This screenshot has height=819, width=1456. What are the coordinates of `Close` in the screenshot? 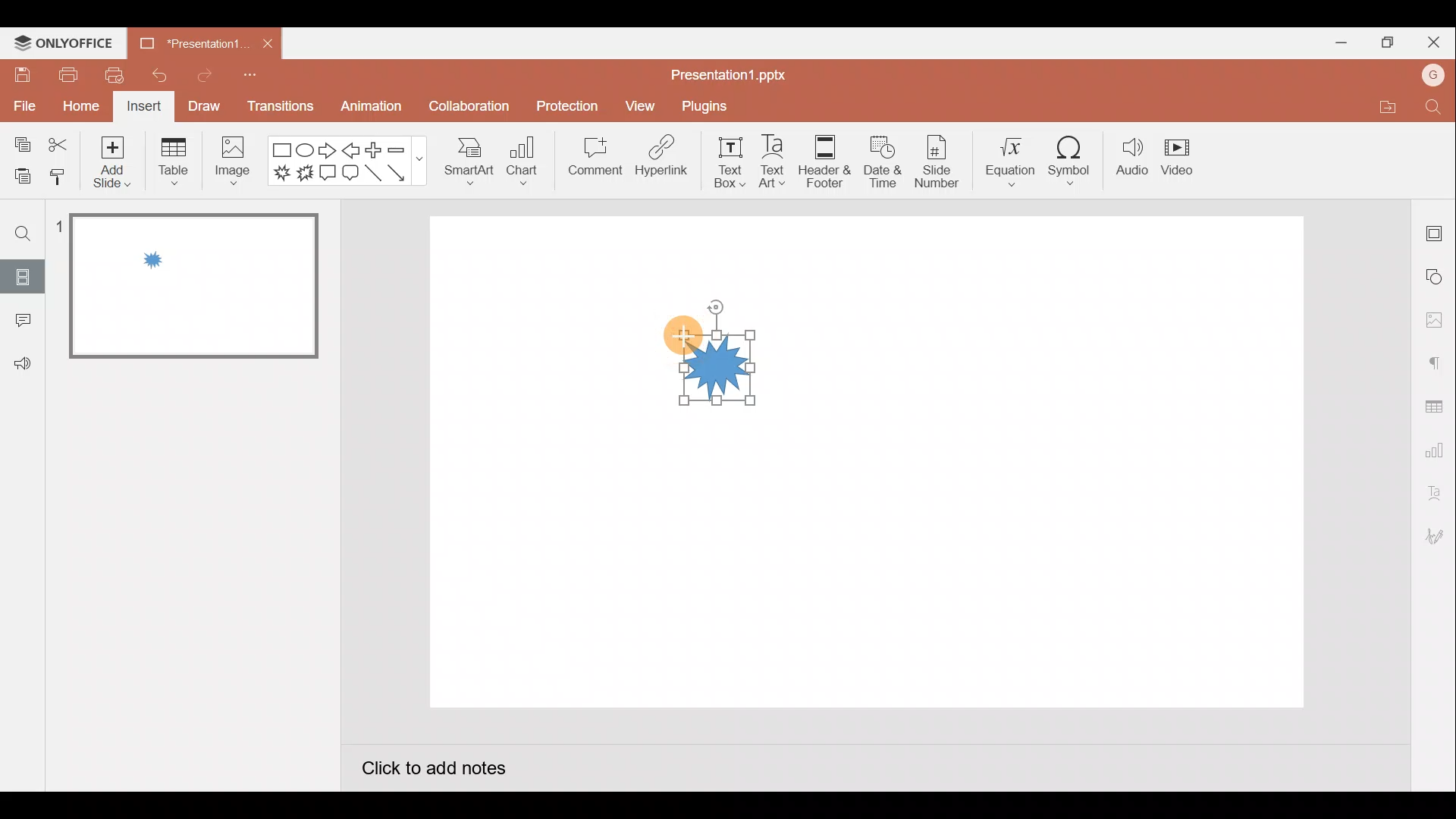 It's located at (1433, 37).